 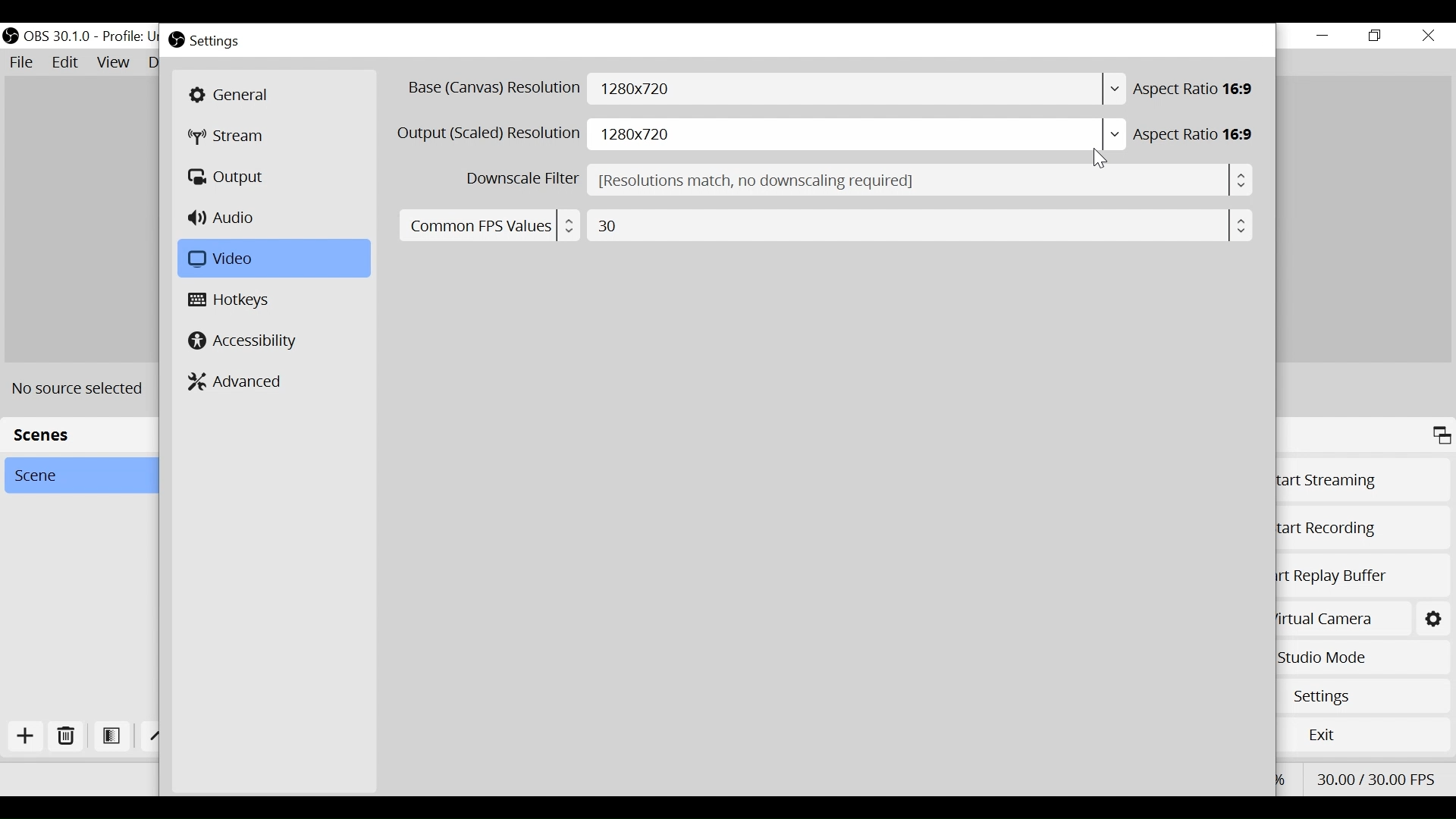 I want to click on Close, so click(x=1257, y=40).